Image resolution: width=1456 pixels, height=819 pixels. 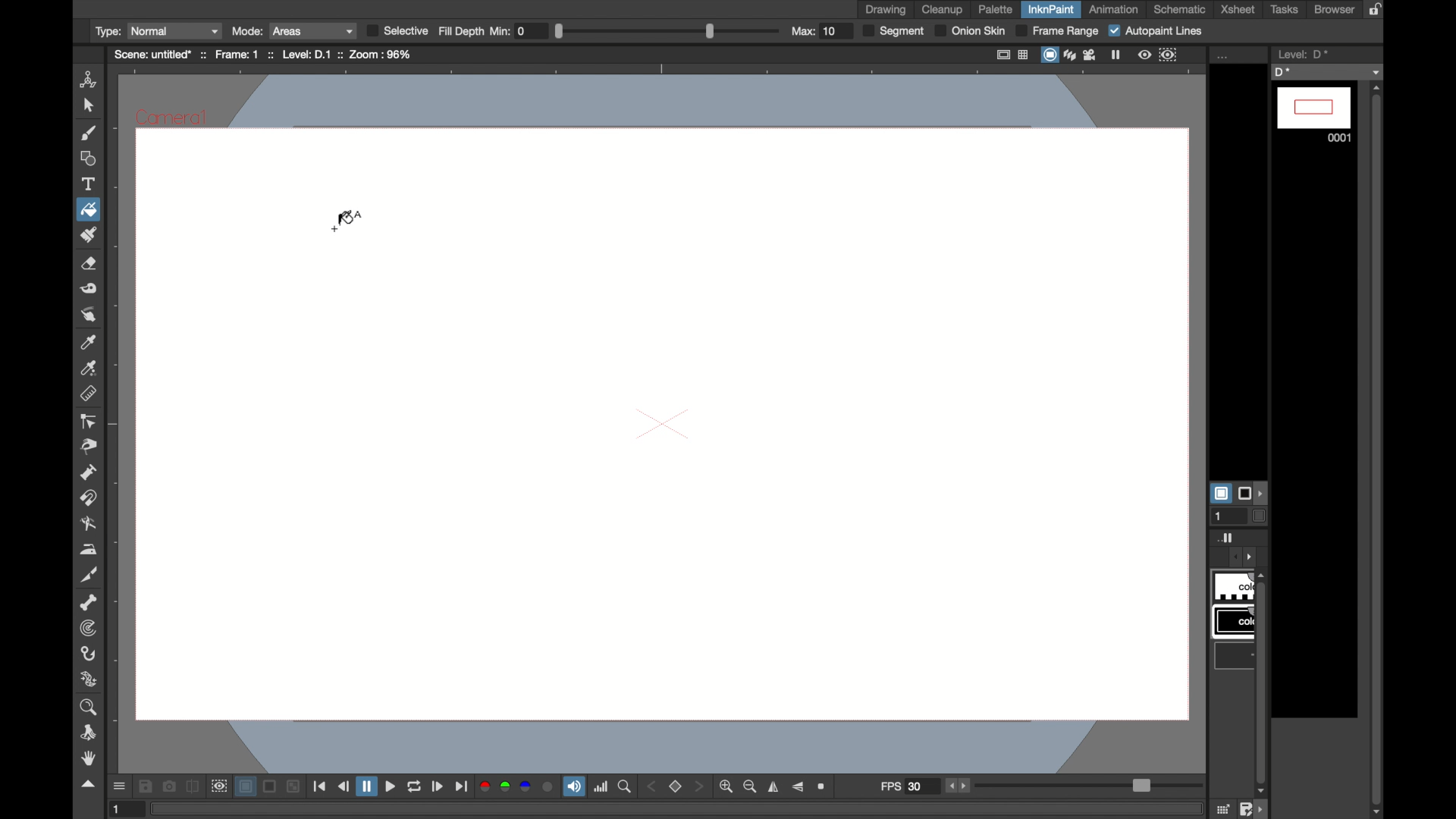 I want to click on pinch tool, so click(x=90, y=447).